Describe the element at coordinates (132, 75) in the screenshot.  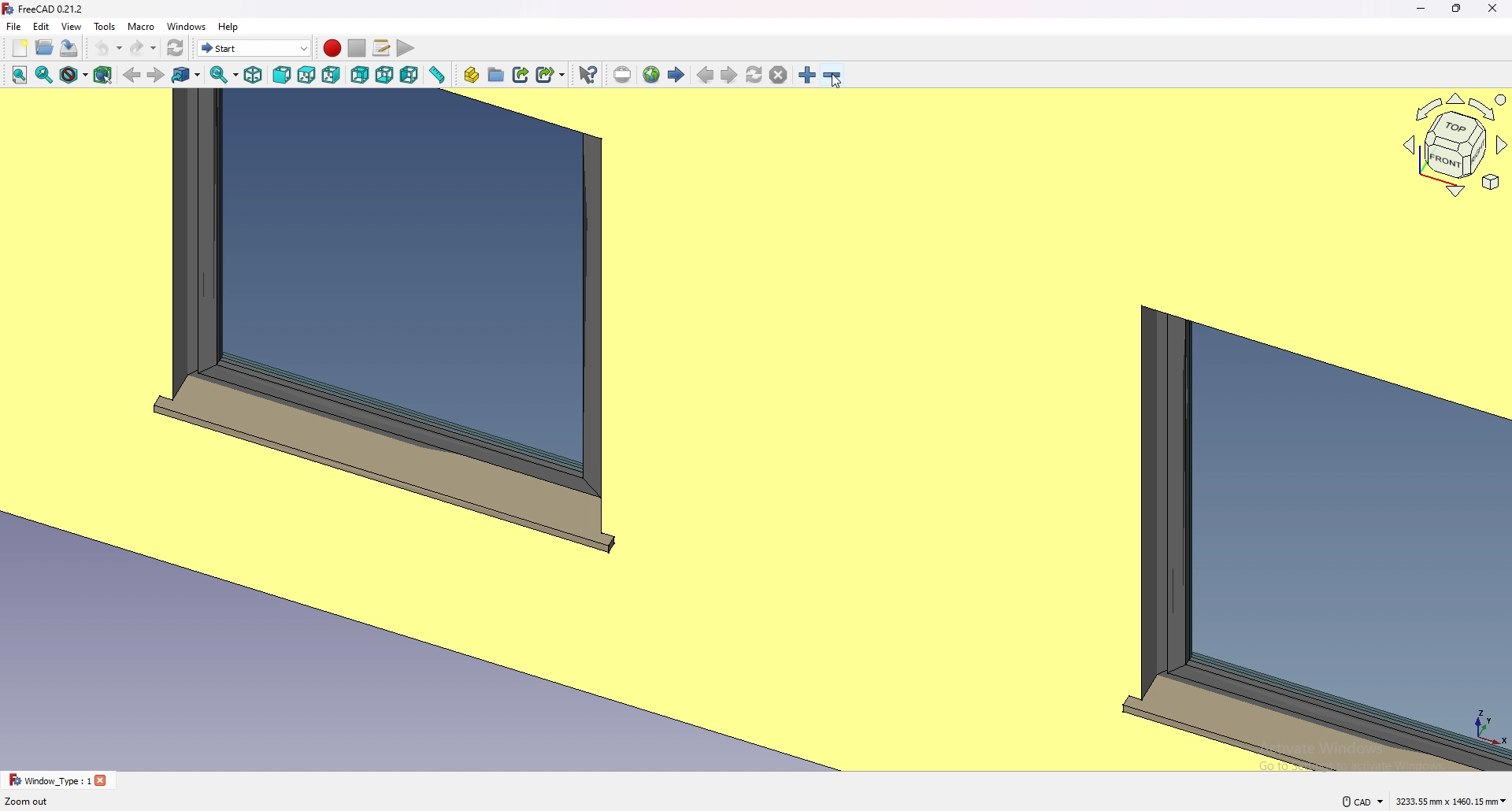
I see `back` at that location.